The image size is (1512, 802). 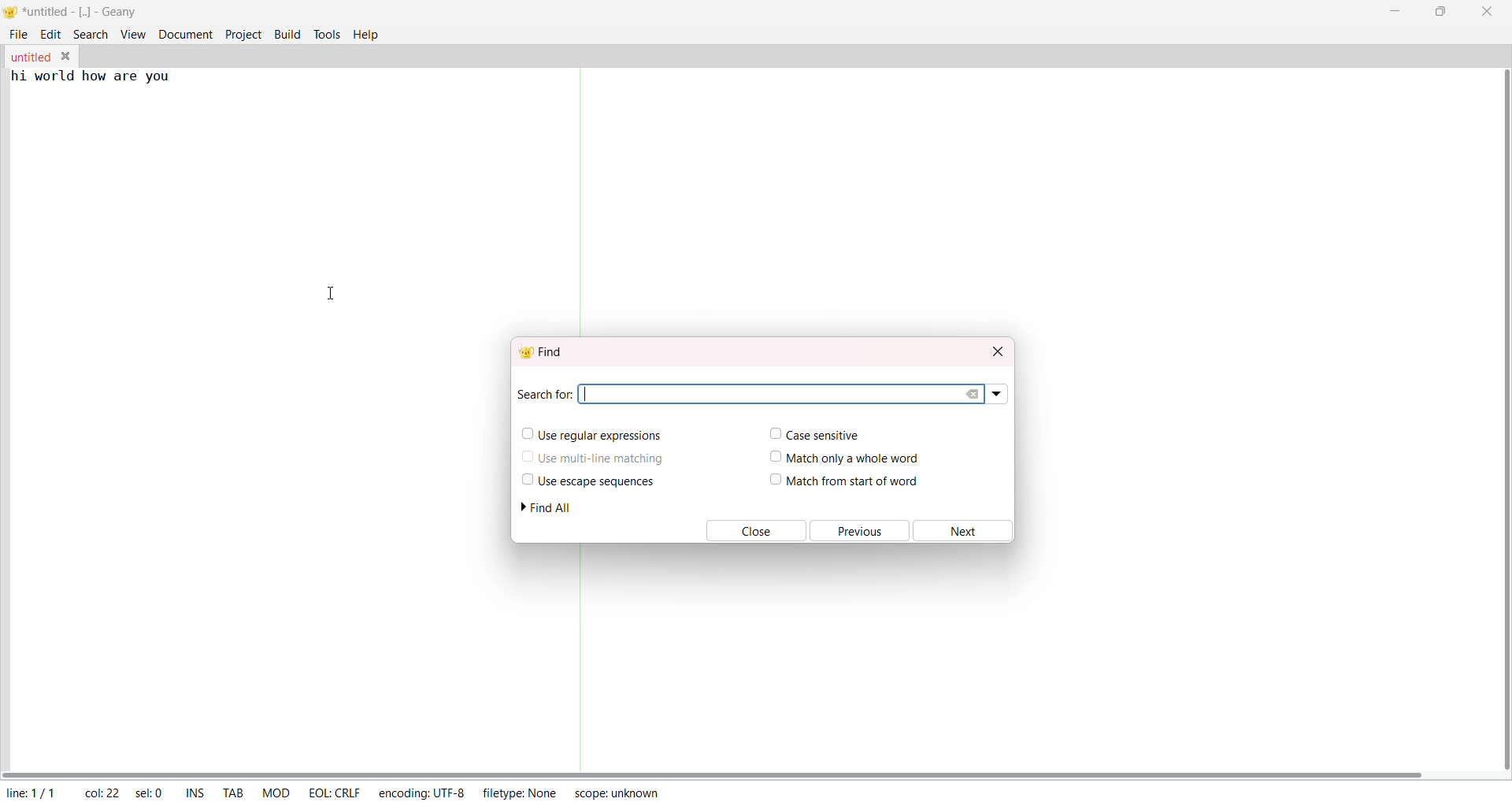 What do you see at coordinates (16, 33) in the screenshot?
I see `file` at bounding box center [16, 33].